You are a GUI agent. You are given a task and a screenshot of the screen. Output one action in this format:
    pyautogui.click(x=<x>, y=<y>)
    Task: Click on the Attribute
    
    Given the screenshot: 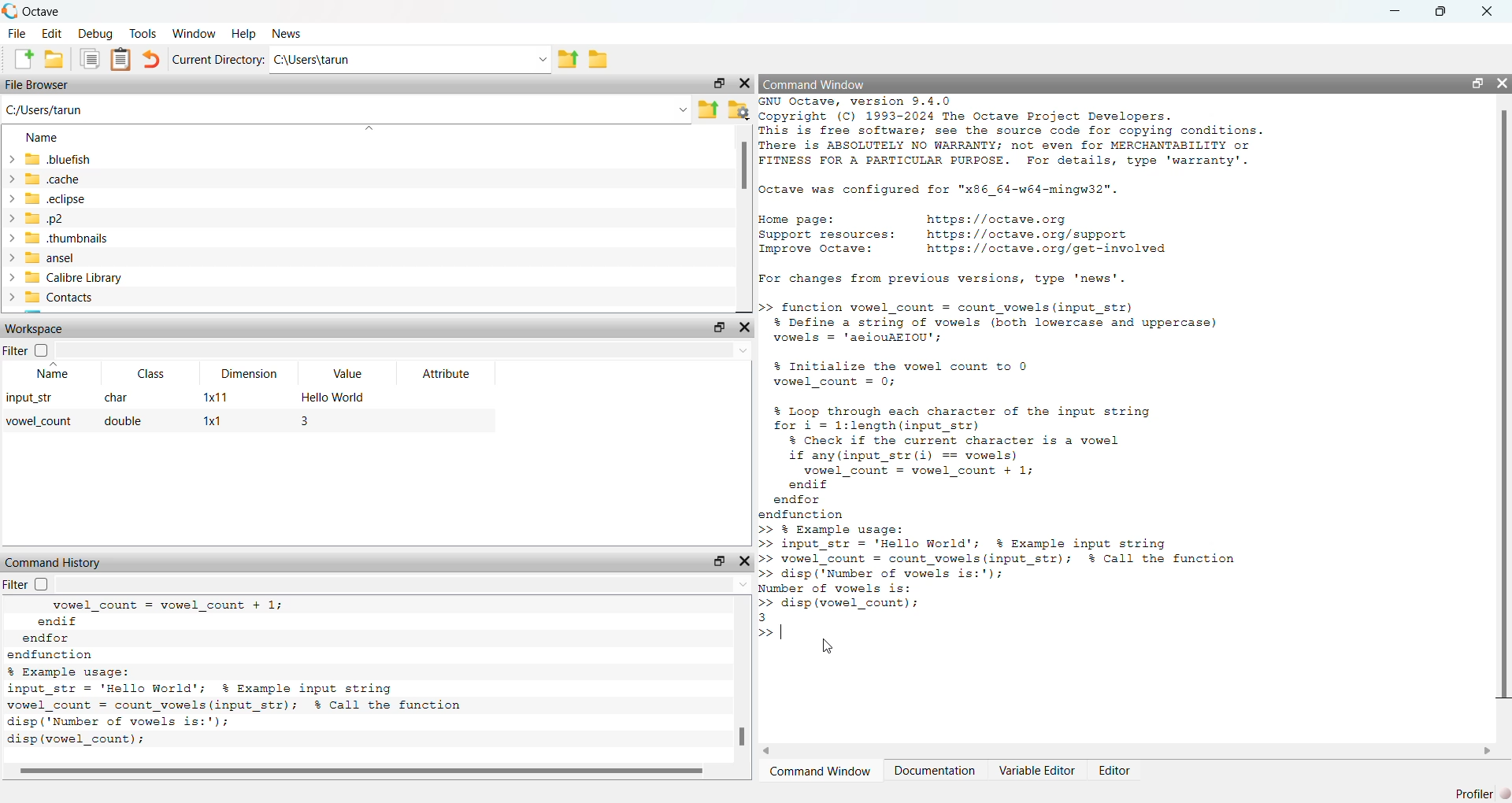 What is the action you would take?
    pyautogui.click(x=447, y=373)
    